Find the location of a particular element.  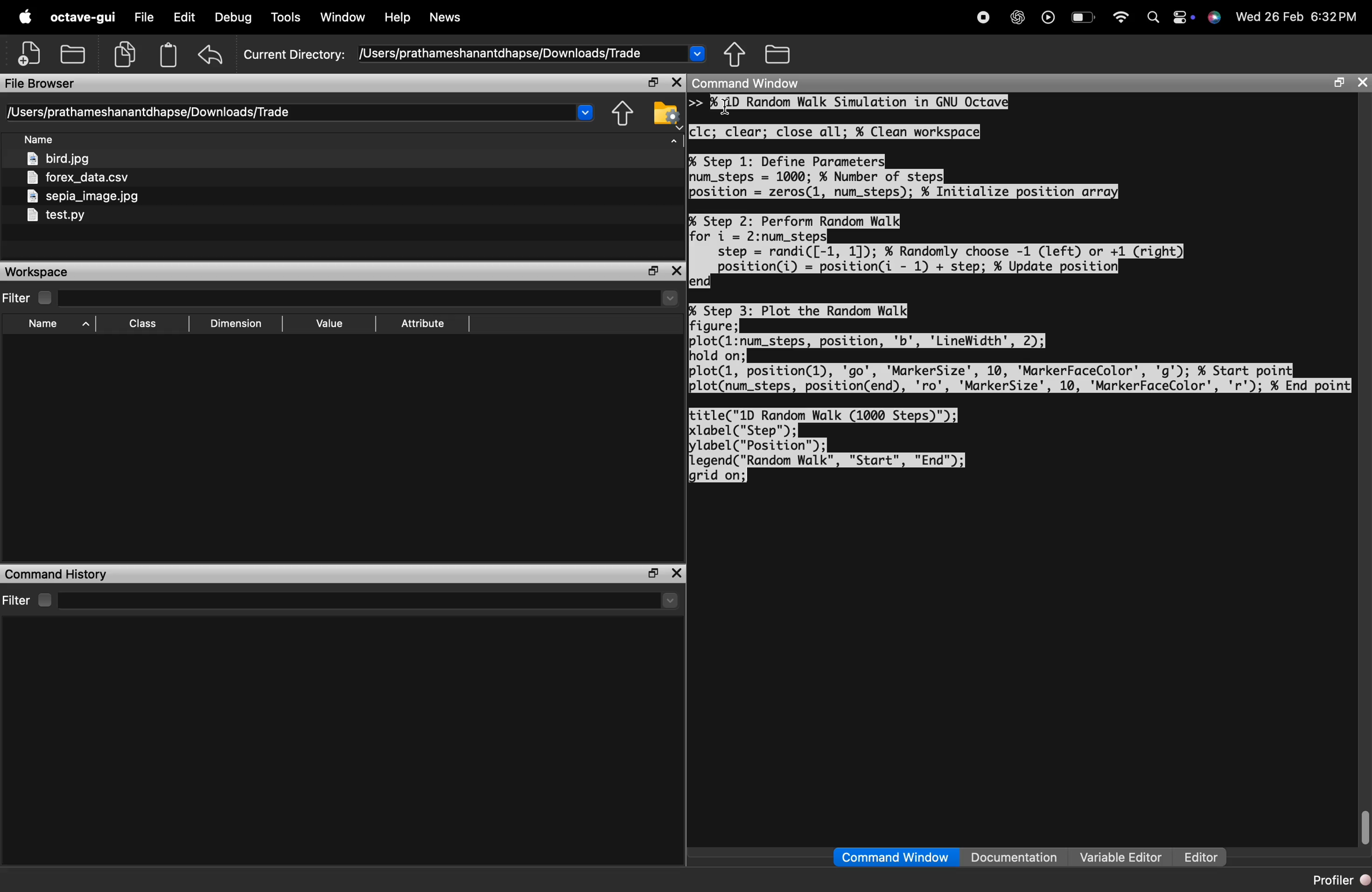

variable editor is located at coordinates (1121, 857).